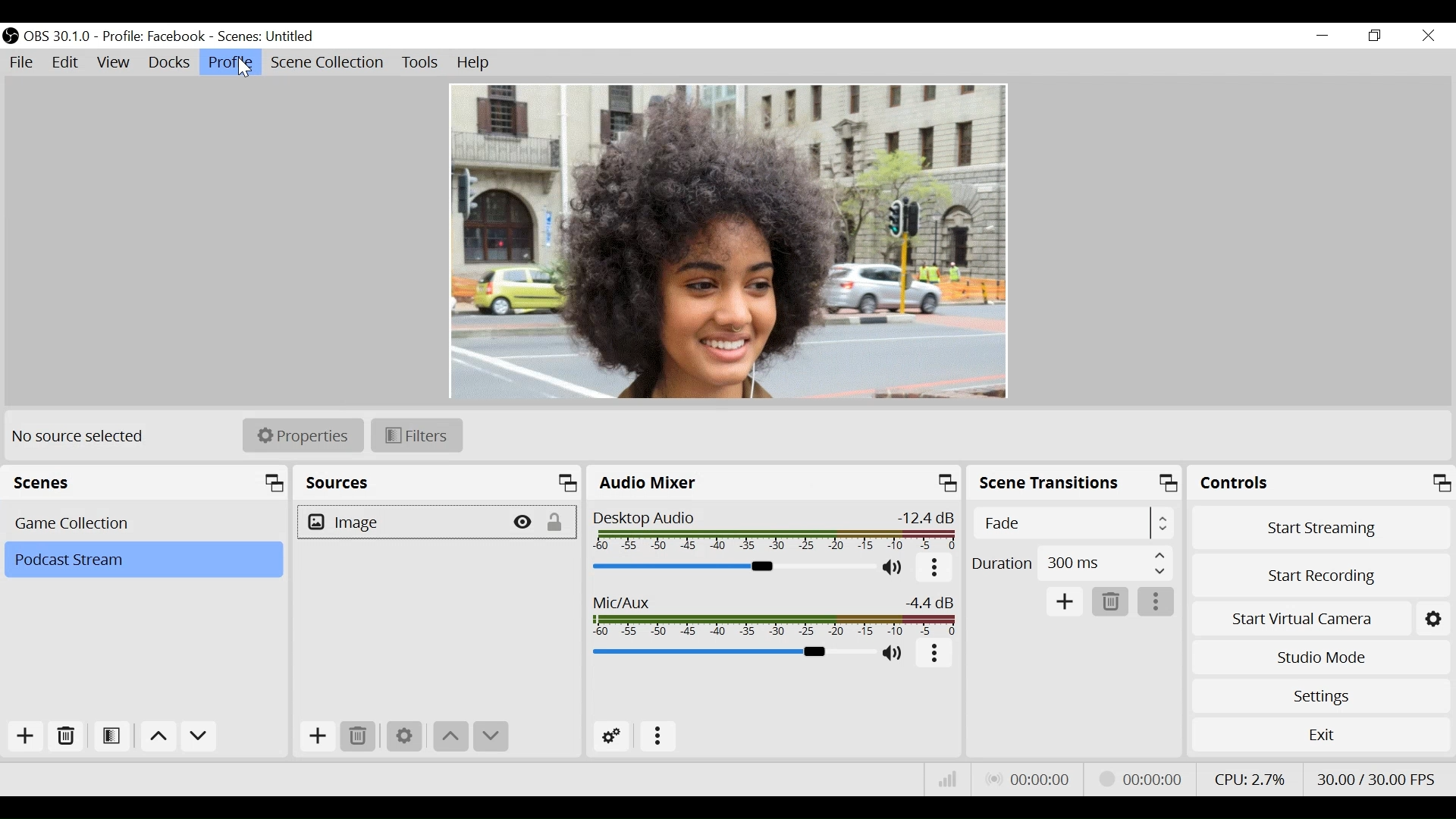 The image size is (1456, 819). I want to click on Controls, so click(1322, 483).